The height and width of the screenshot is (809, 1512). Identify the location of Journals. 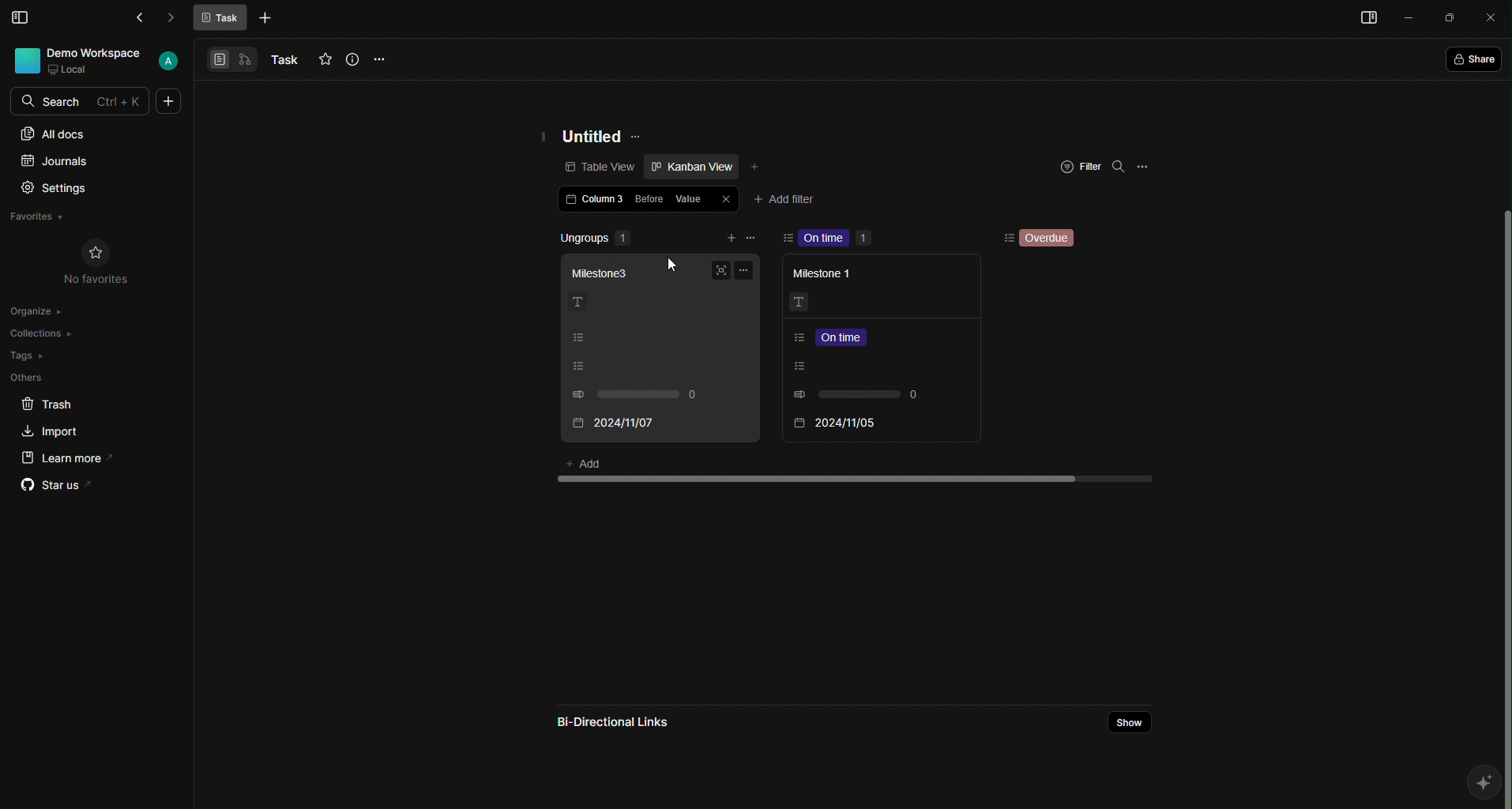
(55, 160).